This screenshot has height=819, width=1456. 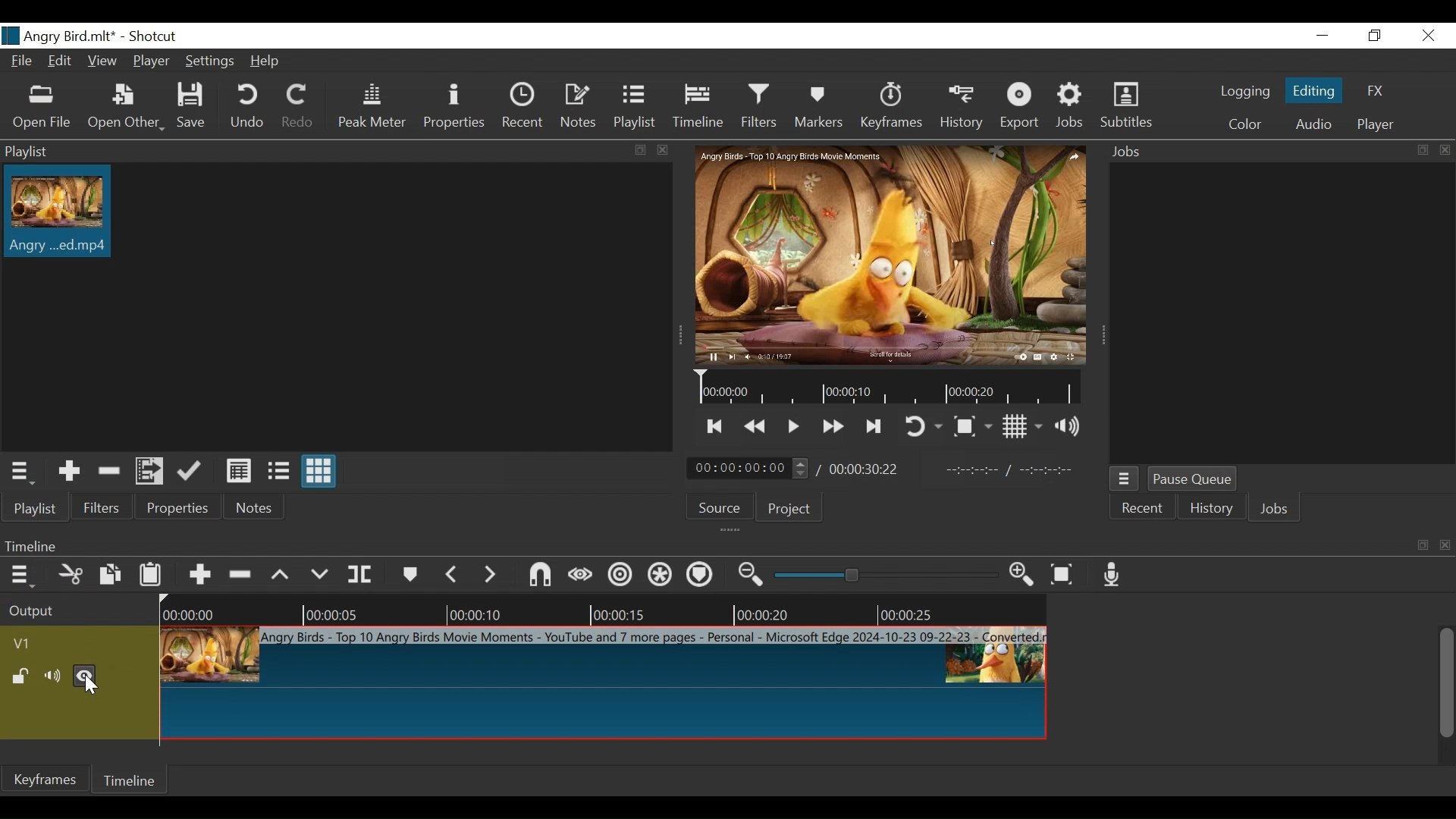 What do you see at coordinates (124, 108) in the screenshot?
I see `Open Other` at bounding box center [124, 108].